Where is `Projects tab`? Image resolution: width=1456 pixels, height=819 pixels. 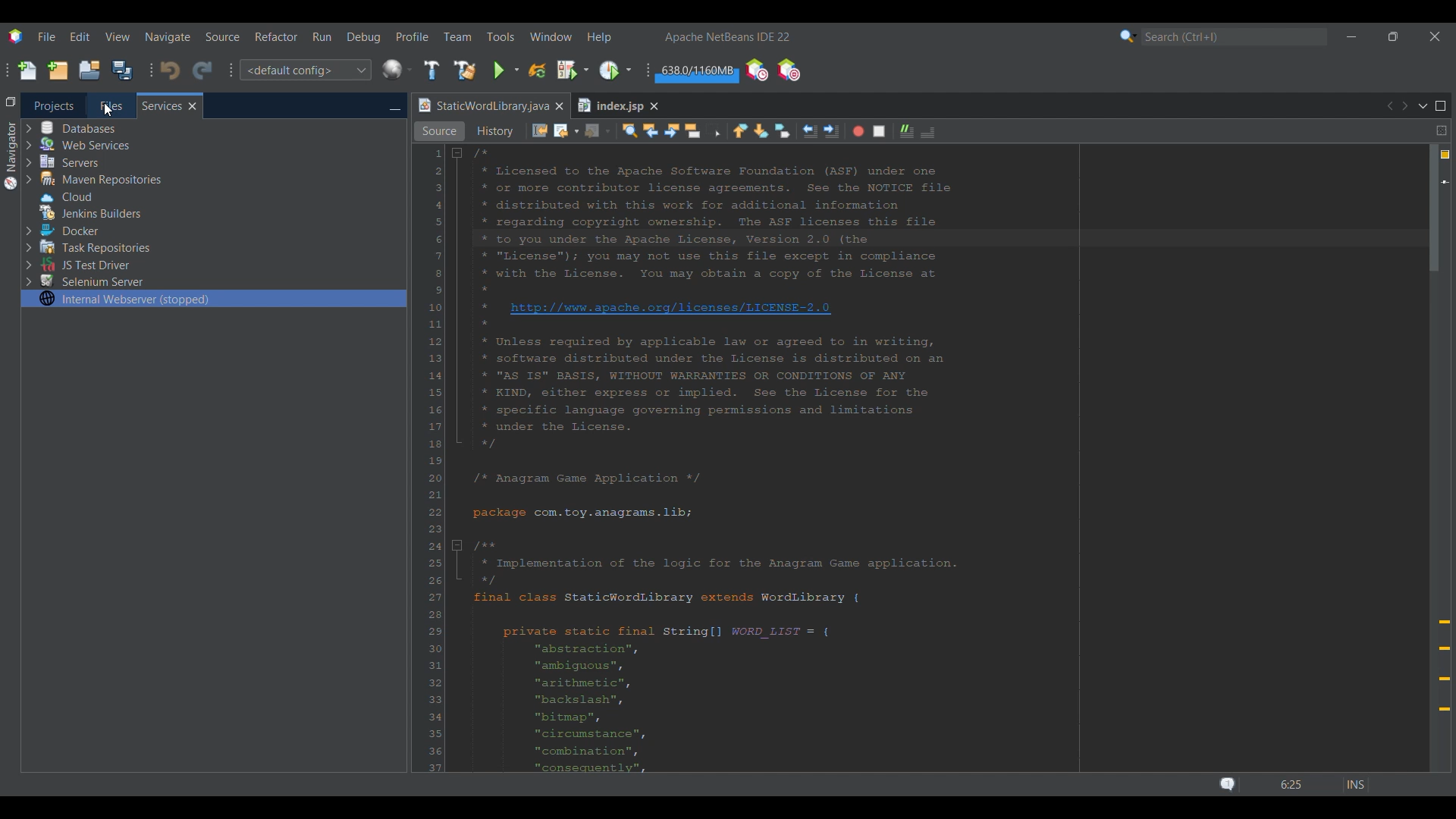
Projects tab is located at coordinates (53, 105).